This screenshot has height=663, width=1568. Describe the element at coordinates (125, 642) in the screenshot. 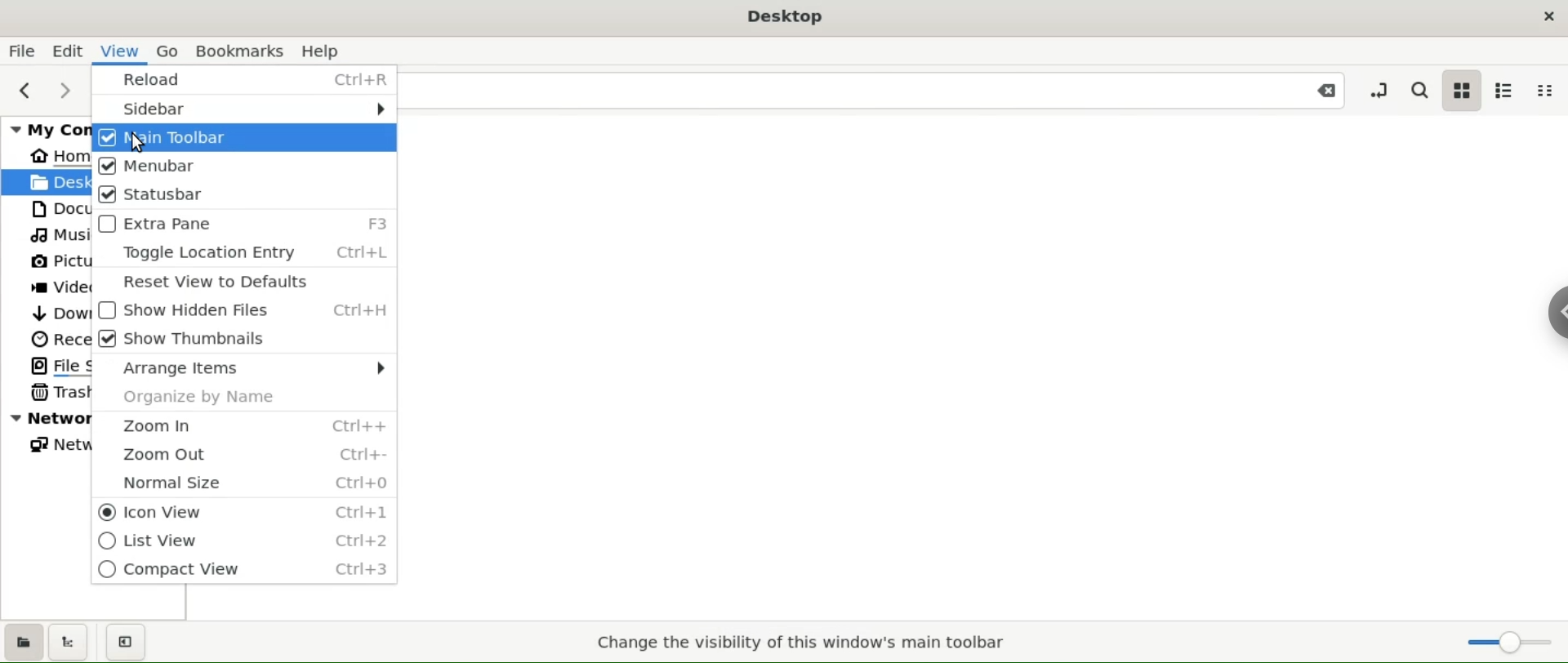

I see `close sidebar` at that location.